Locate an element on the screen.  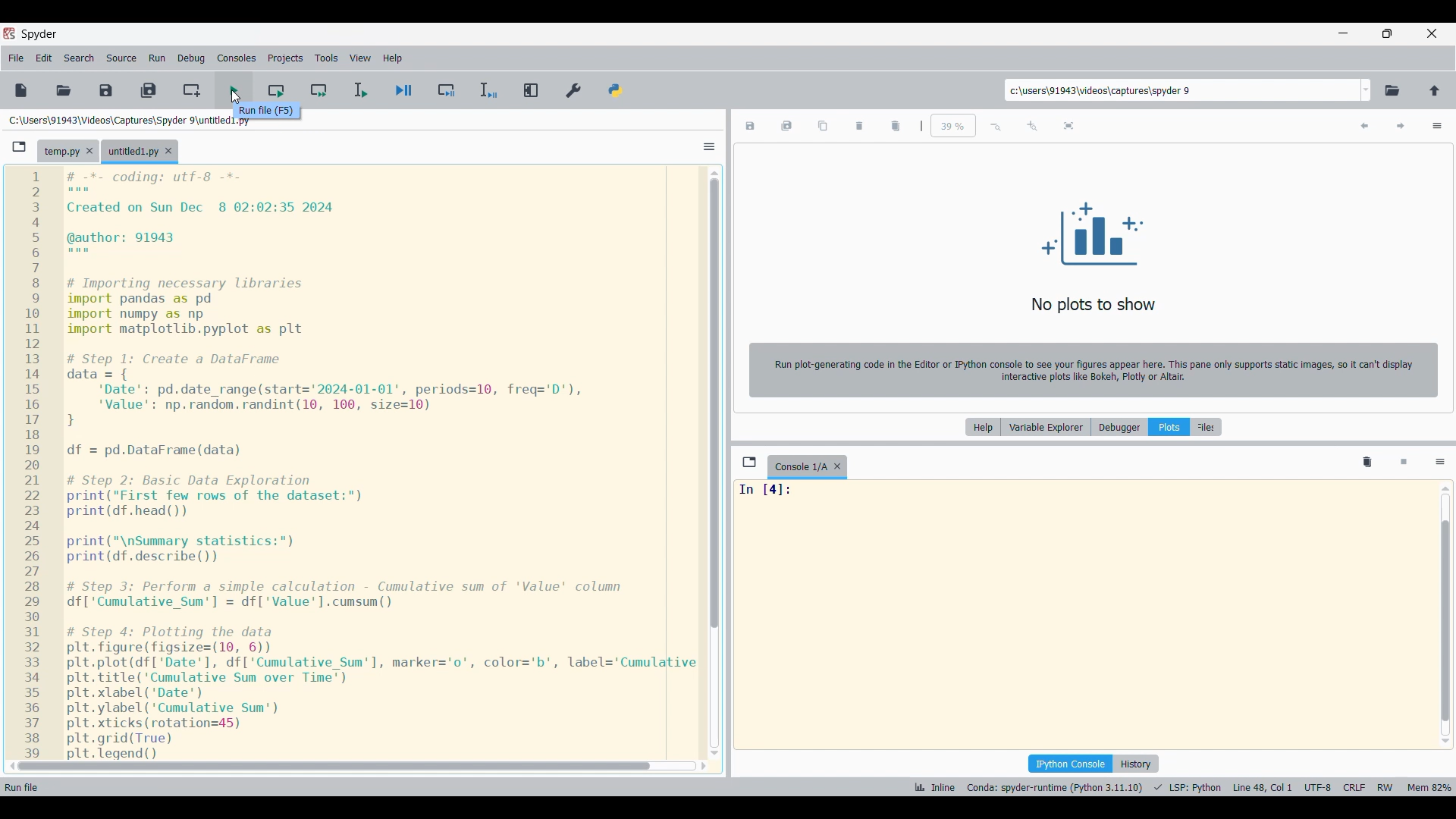
Delete current plot is located at coordinates (859, 126).